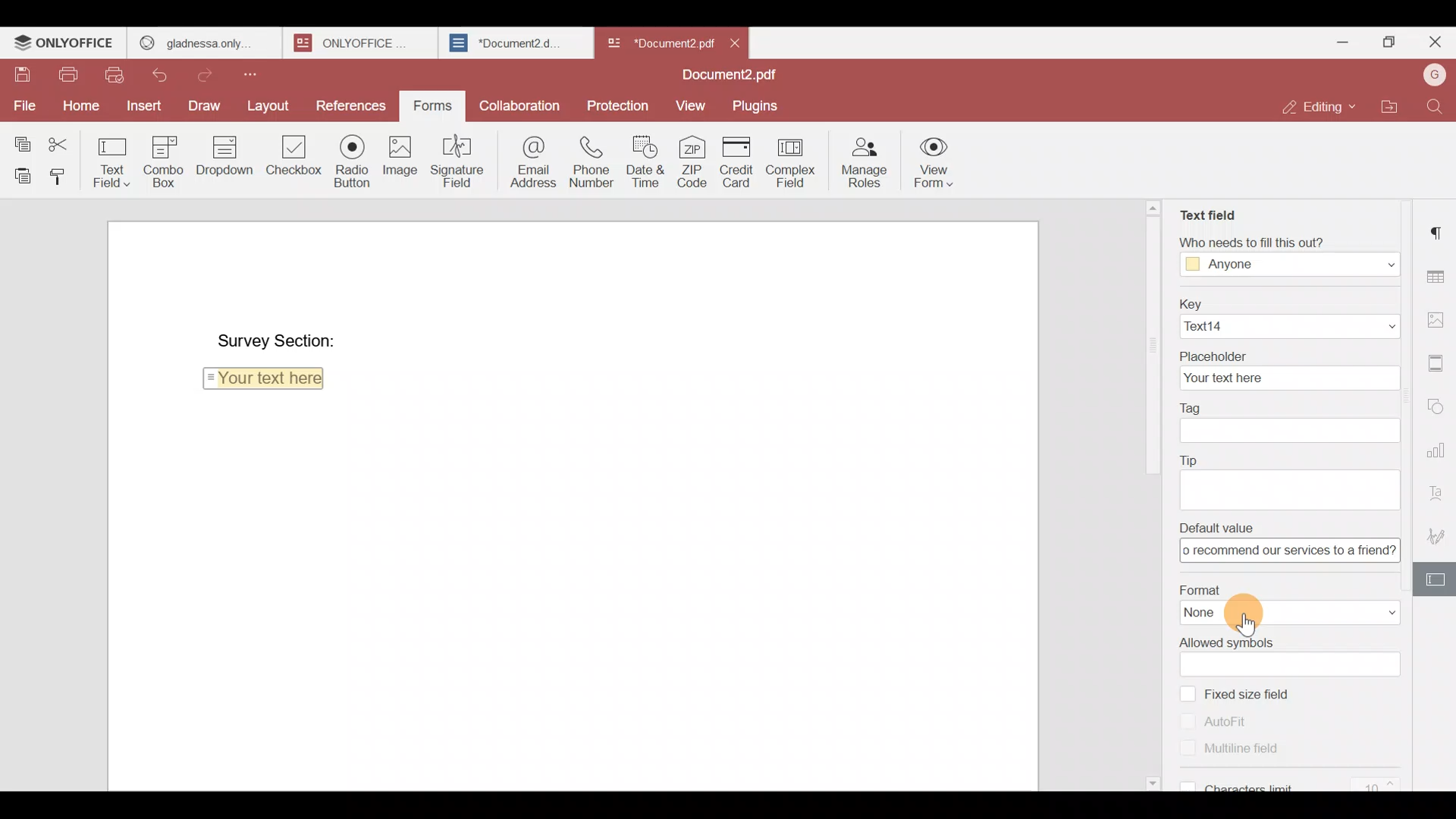  What do you see at coordinates (1285, 377) in the screenshot?
I see `your text here` at bounding box center [1285, 377].